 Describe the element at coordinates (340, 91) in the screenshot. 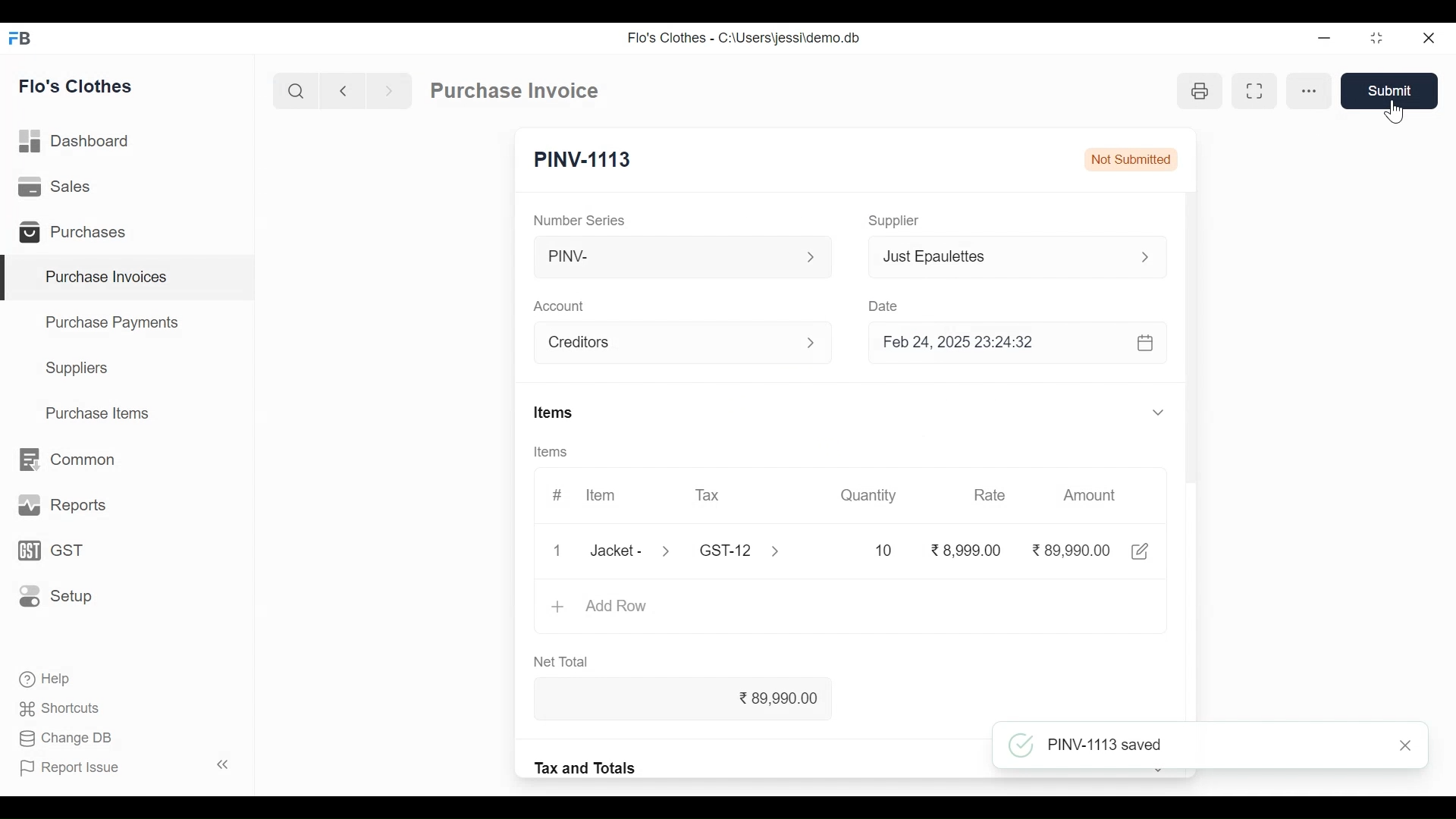

I see `Navigate back` at that location.